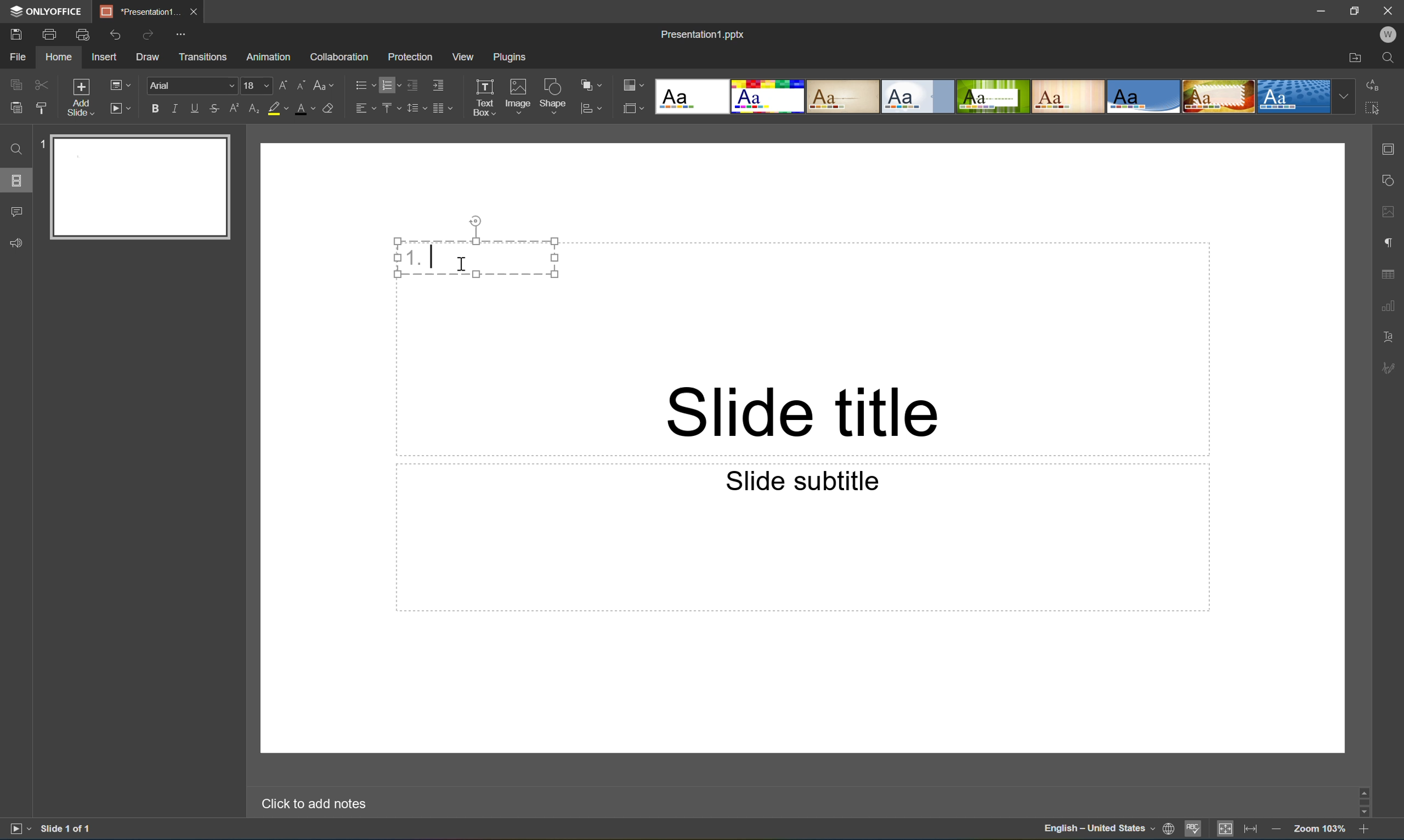 This screenshot has width=1404, height=840. I want to click on Save, so click(14, 33).